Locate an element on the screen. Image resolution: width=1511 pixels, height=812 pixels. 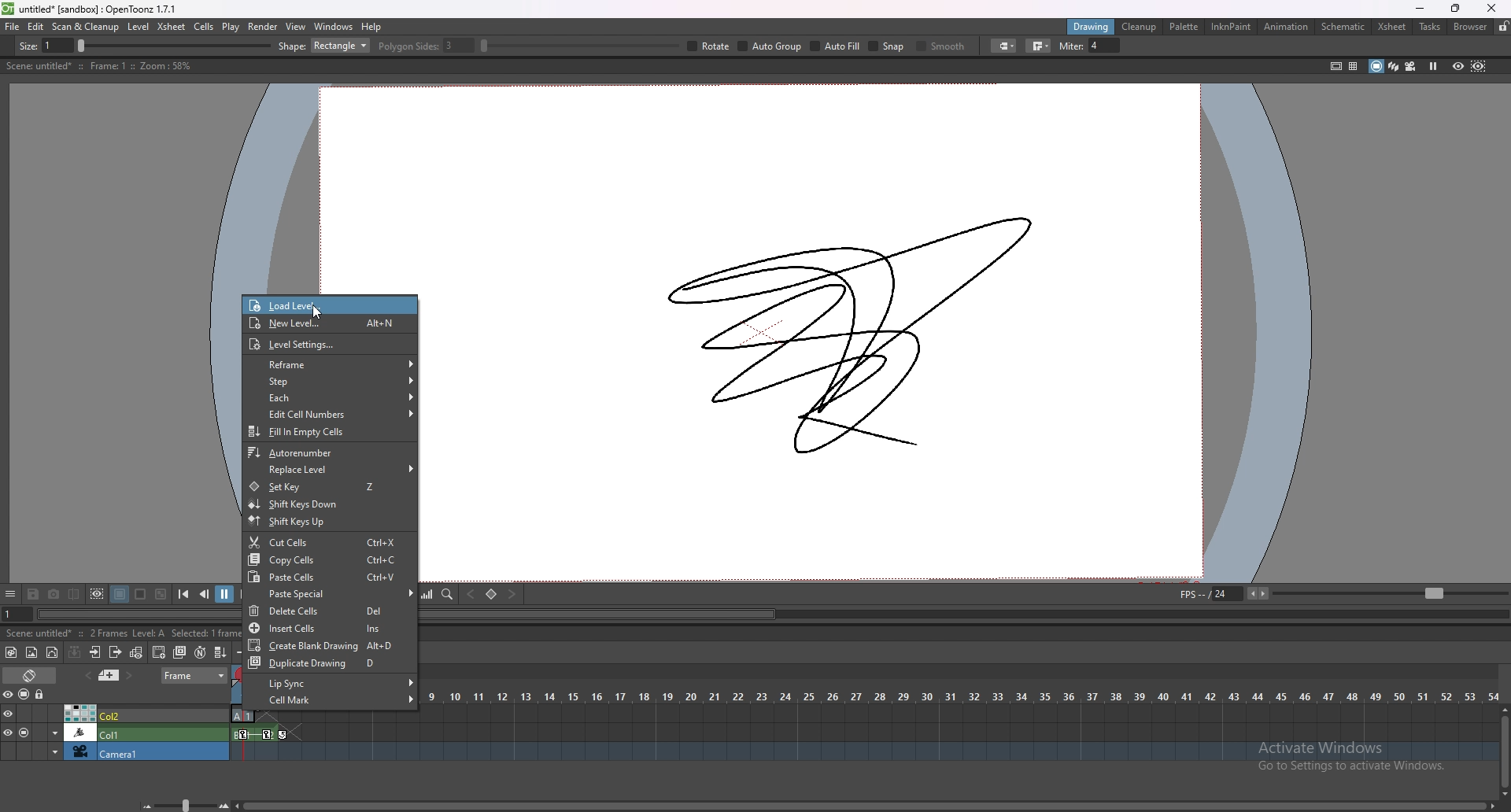
save is located at coordinates (33, 596).